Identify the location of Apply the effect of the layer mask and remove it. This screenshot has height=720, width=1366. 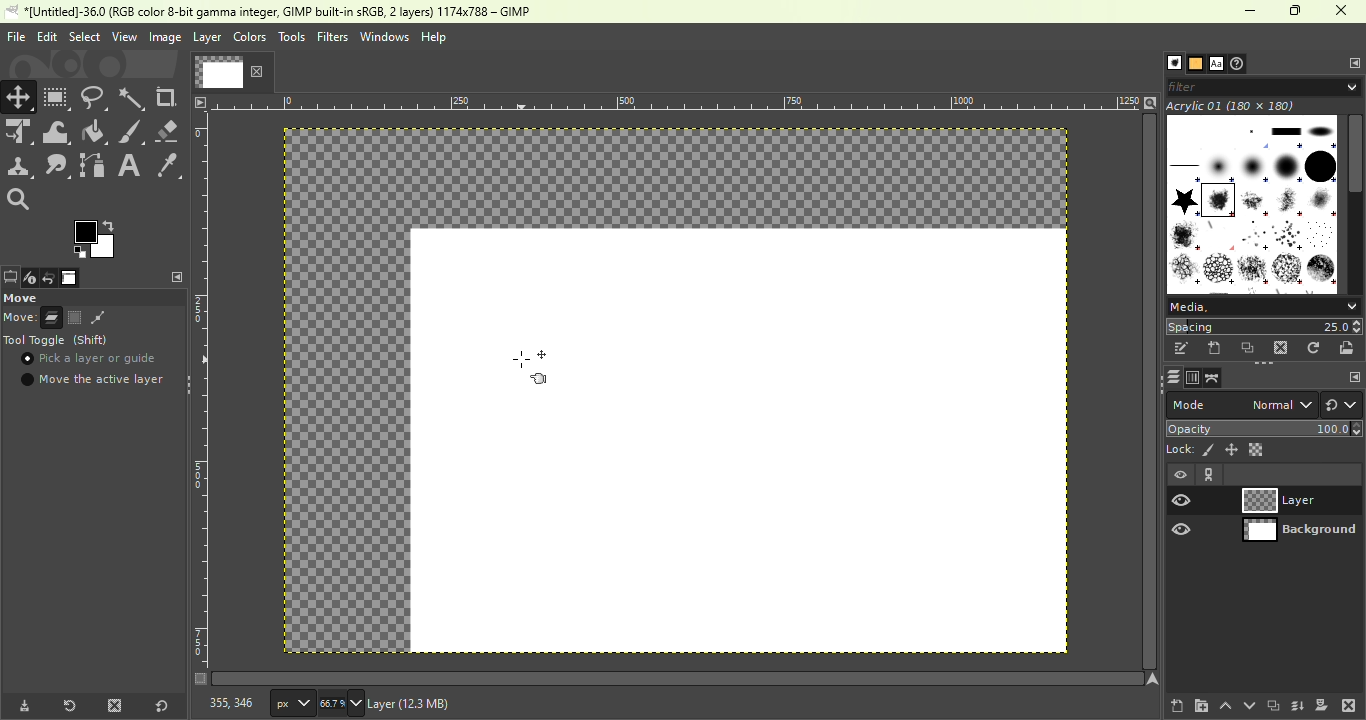
(1322, 704).